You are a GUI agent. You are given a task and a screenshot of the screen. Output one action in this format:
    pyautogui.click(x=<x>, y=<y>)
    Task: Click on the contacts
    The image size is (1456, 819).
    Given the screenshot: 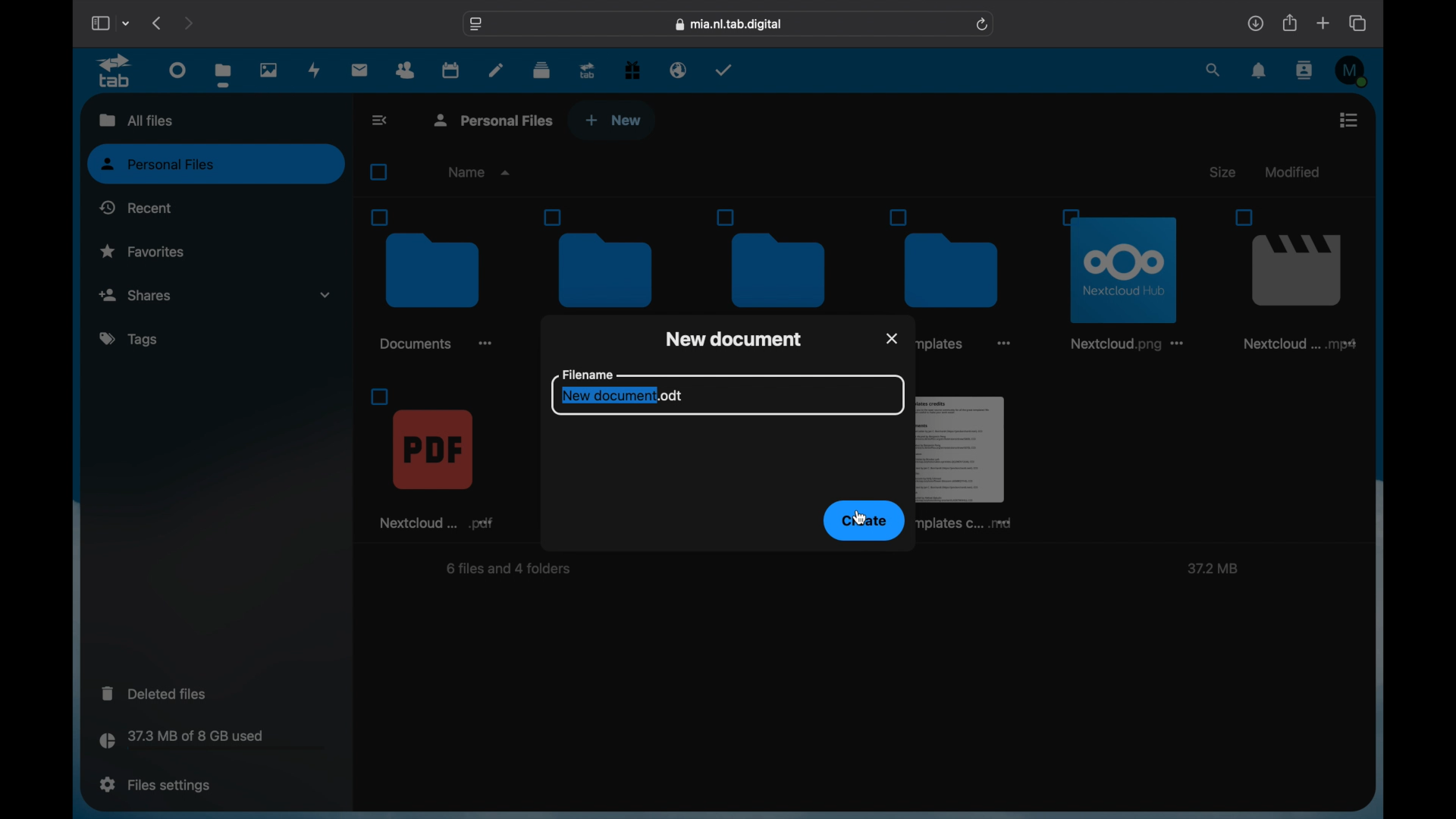 What is the action you would take?
    pyautogui.click(x=406, y=71)
    